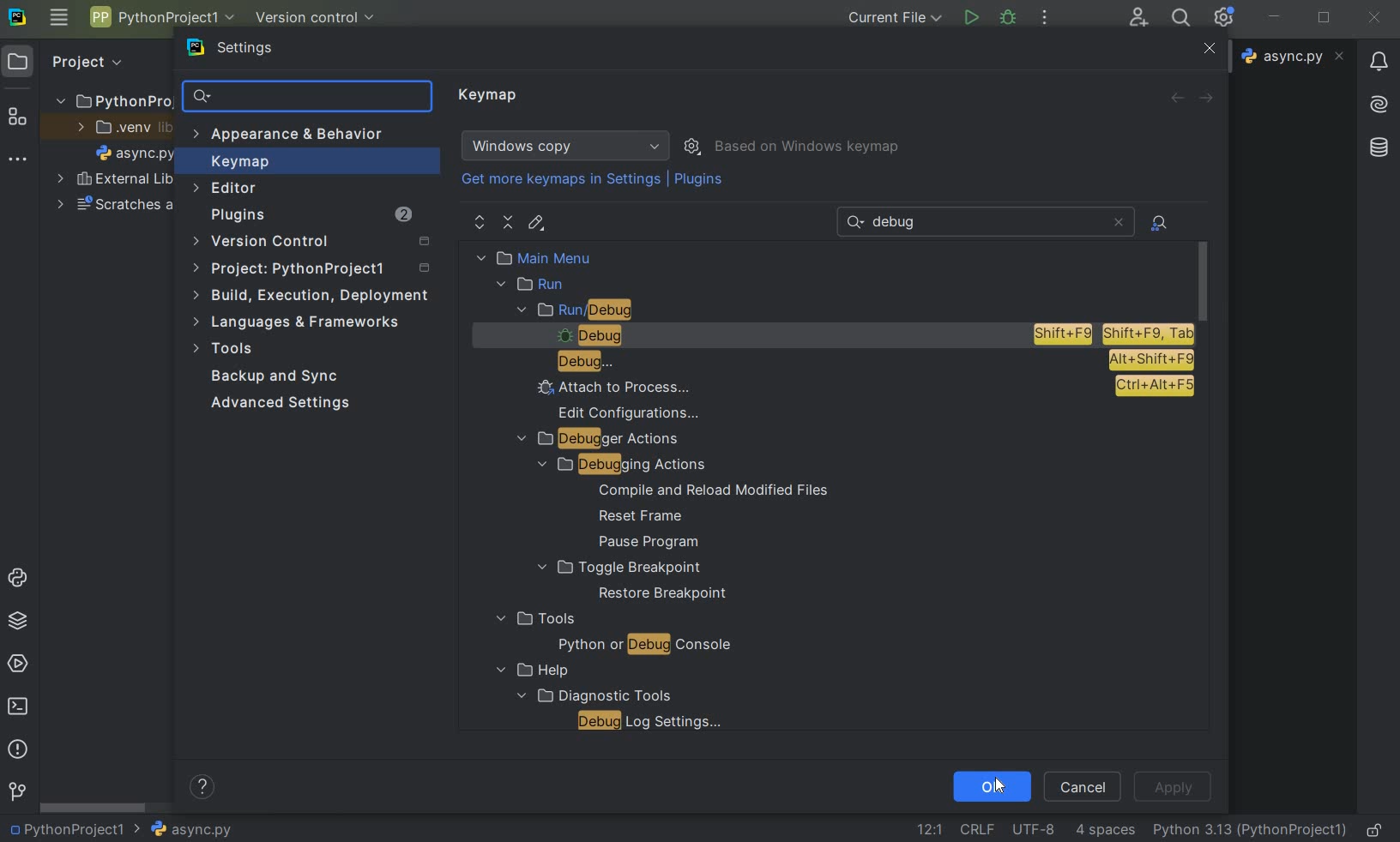 This screenshot has height=842, width=1400. I want to click on more tool windows, so click(15, 159).